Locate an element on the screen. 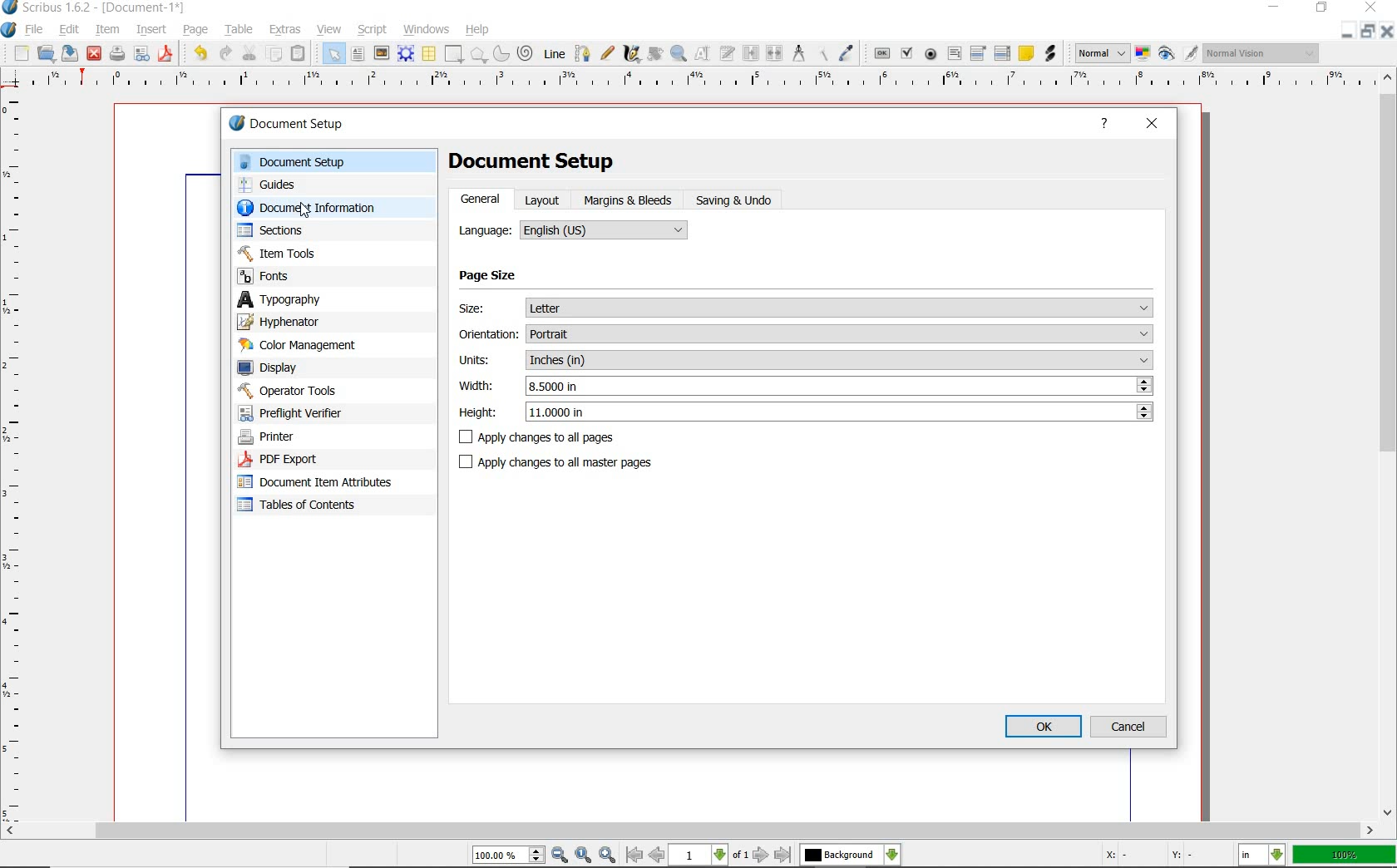  document item attributes is located at coordinates (321, 484).